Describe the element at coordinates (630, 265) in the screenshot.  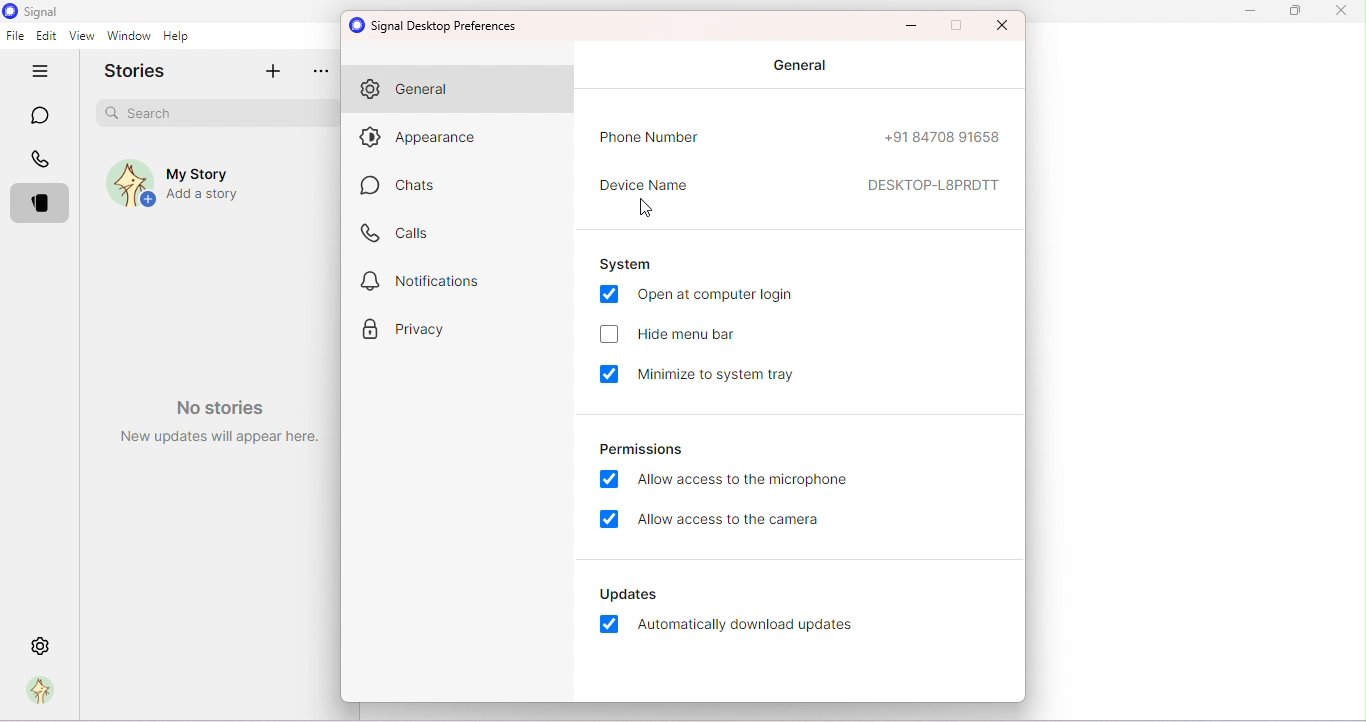
I see `System` at that location.